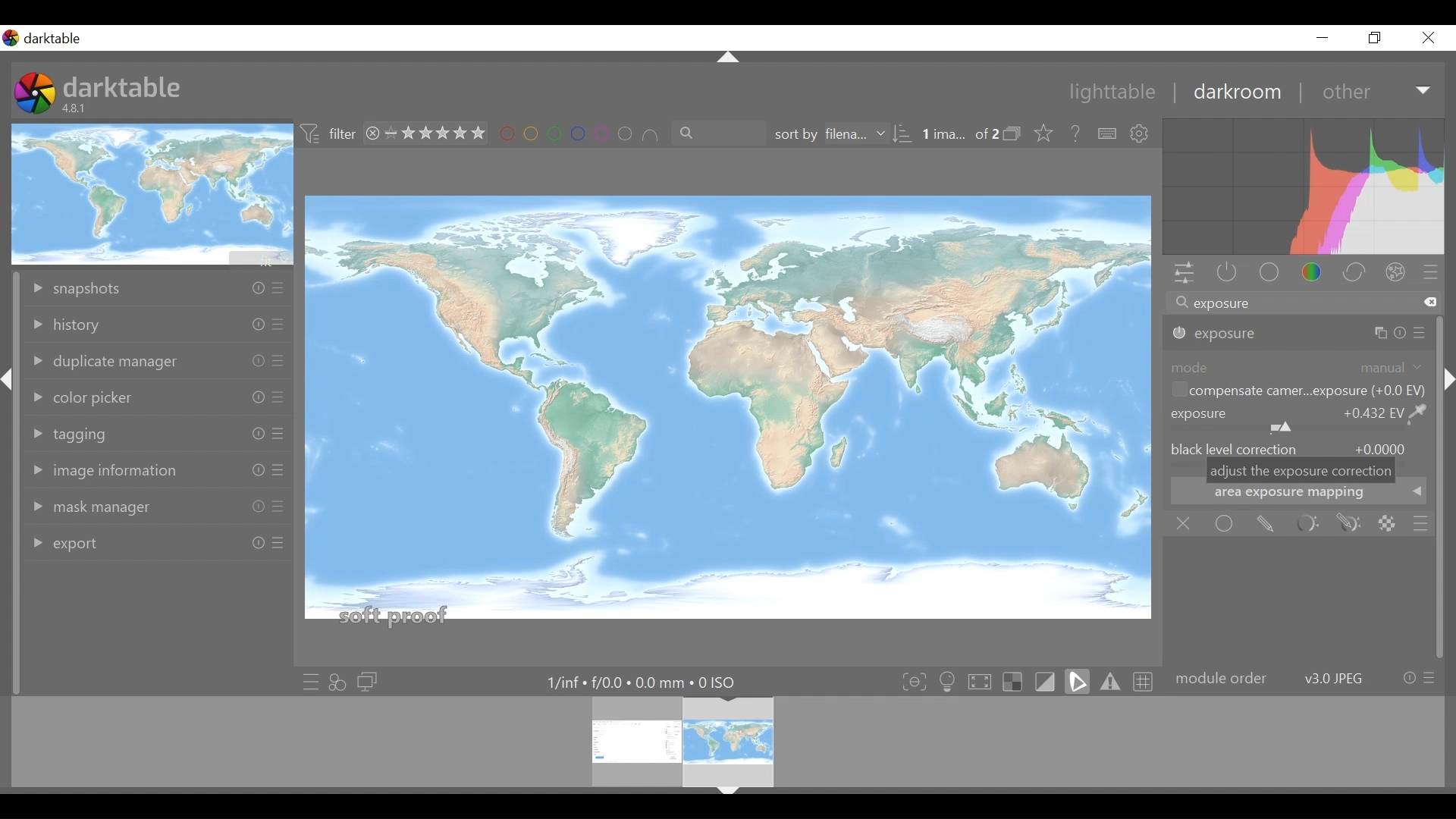 Image resolution: width=1456 pixels, height=819 pixels. I want to click on toggle indication of raw overexposure, so click(1017, 681).